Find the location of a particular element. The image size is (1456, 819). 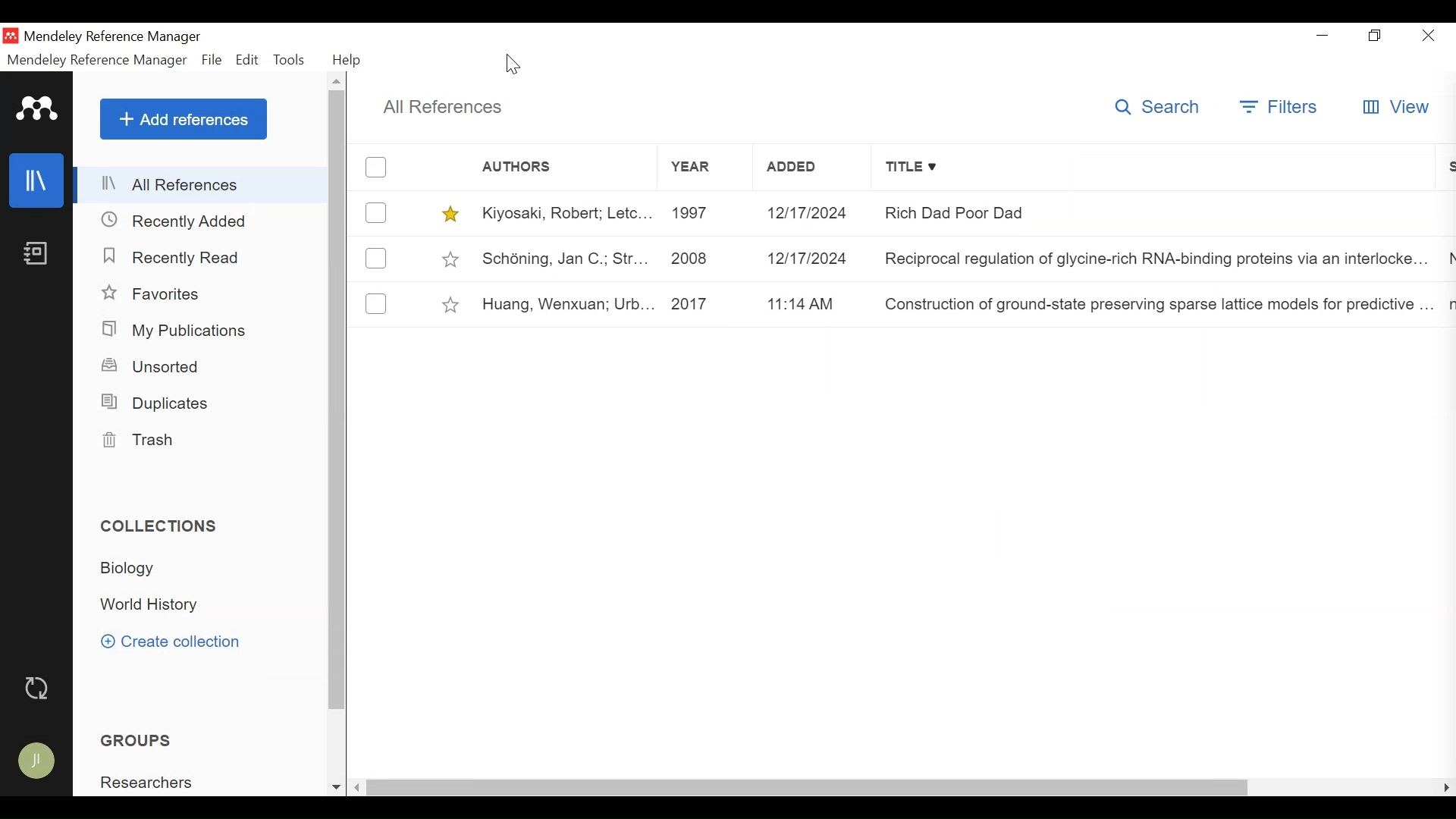

Collection is located at coordinates (160, 526).